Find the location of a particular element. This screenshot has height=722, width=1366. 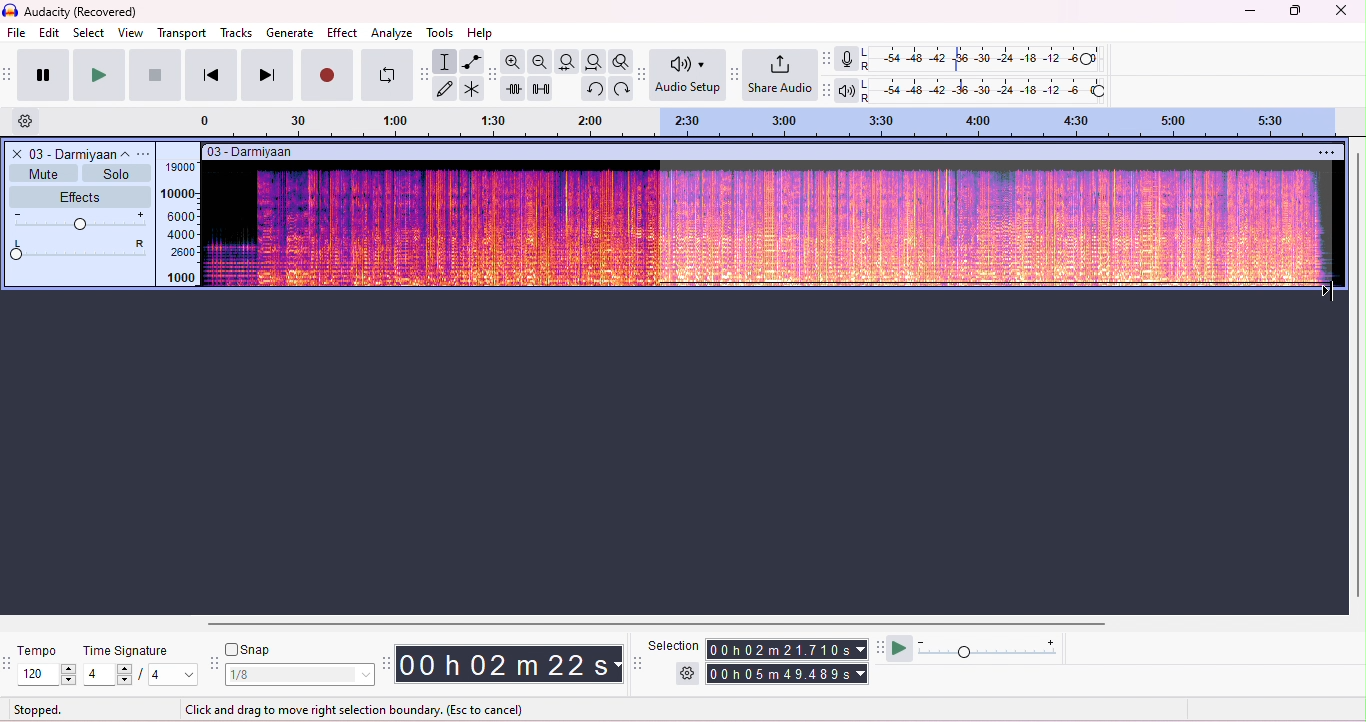

stop is located at coordinates (155, 74).